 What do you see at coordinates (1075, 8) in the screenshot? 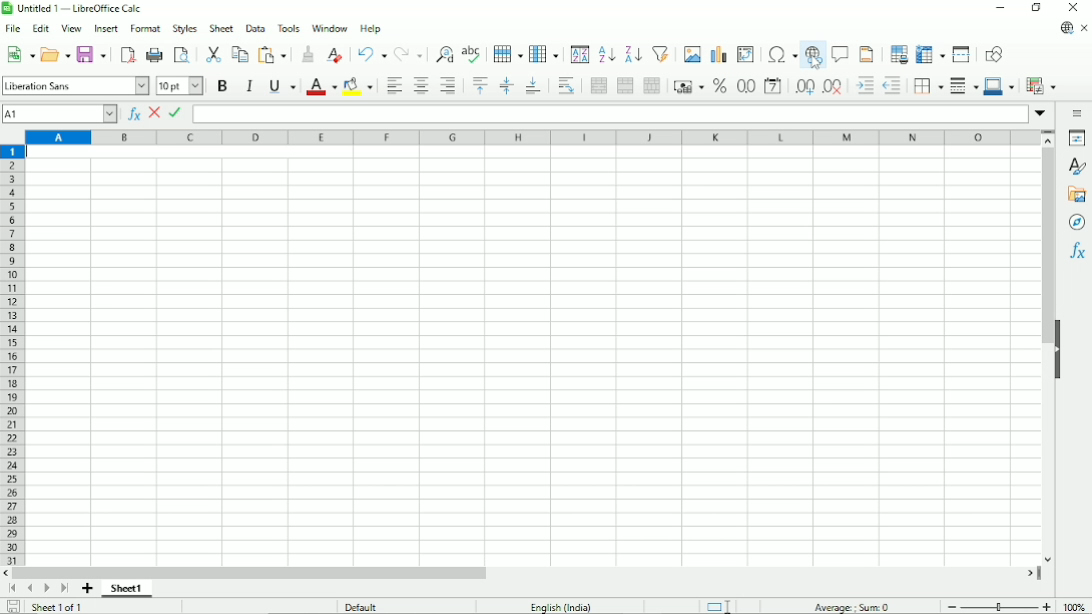
I see `Close` at bounding box center [1075, 8].